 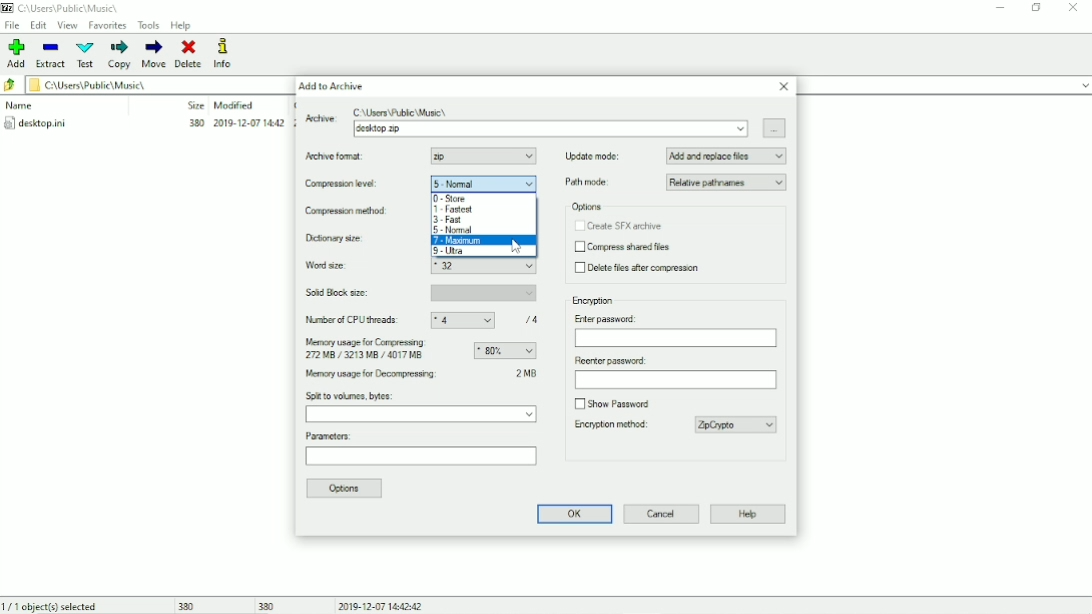 I want to click on Options, so click(x=346, y=489).